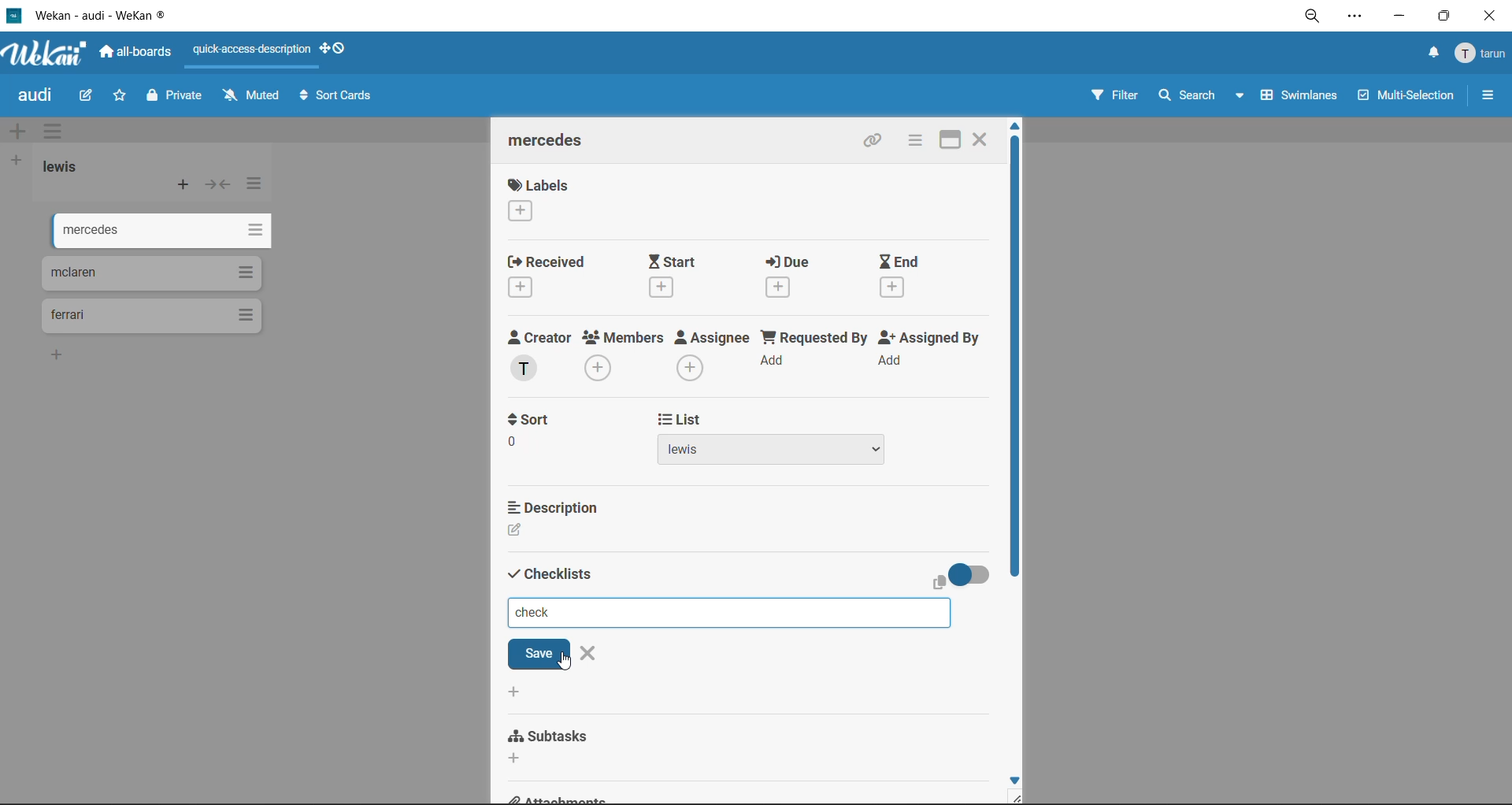 This screenshot has width=1512, height=805. I want to click on add, so click(517, 692).